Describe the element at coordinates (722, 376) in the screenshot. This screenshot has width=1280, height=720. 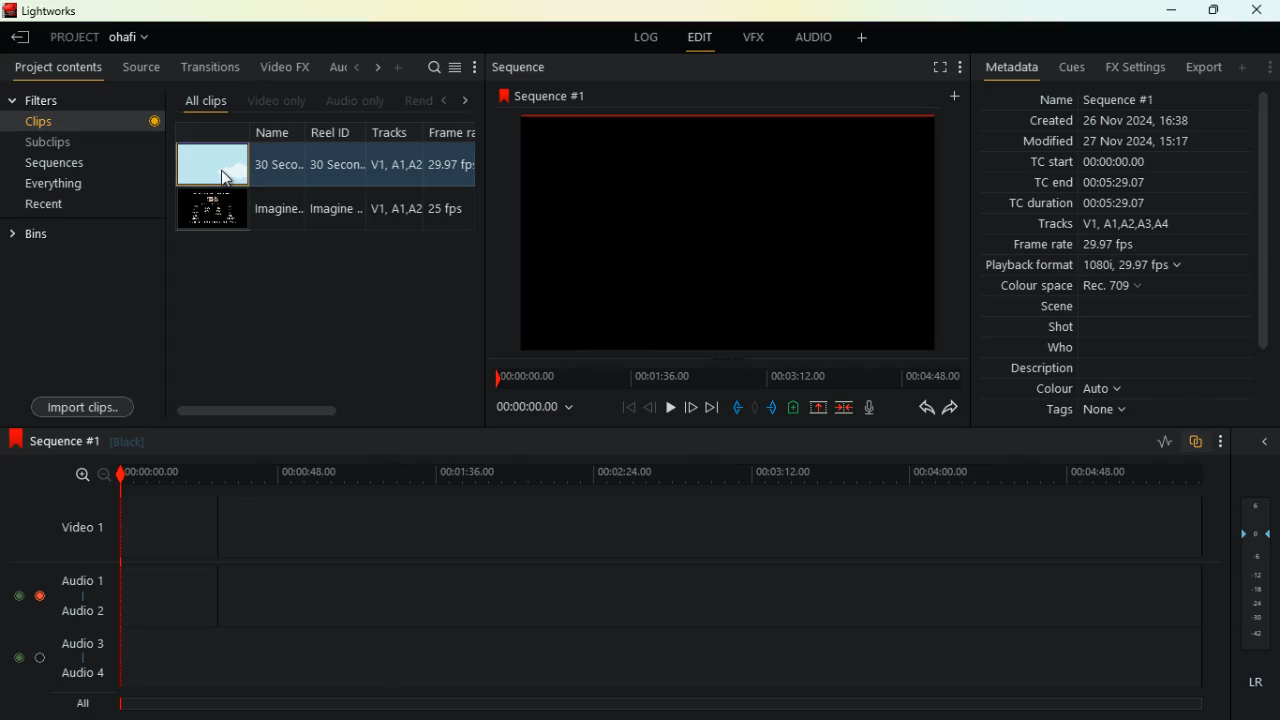
I see `time` at that location.